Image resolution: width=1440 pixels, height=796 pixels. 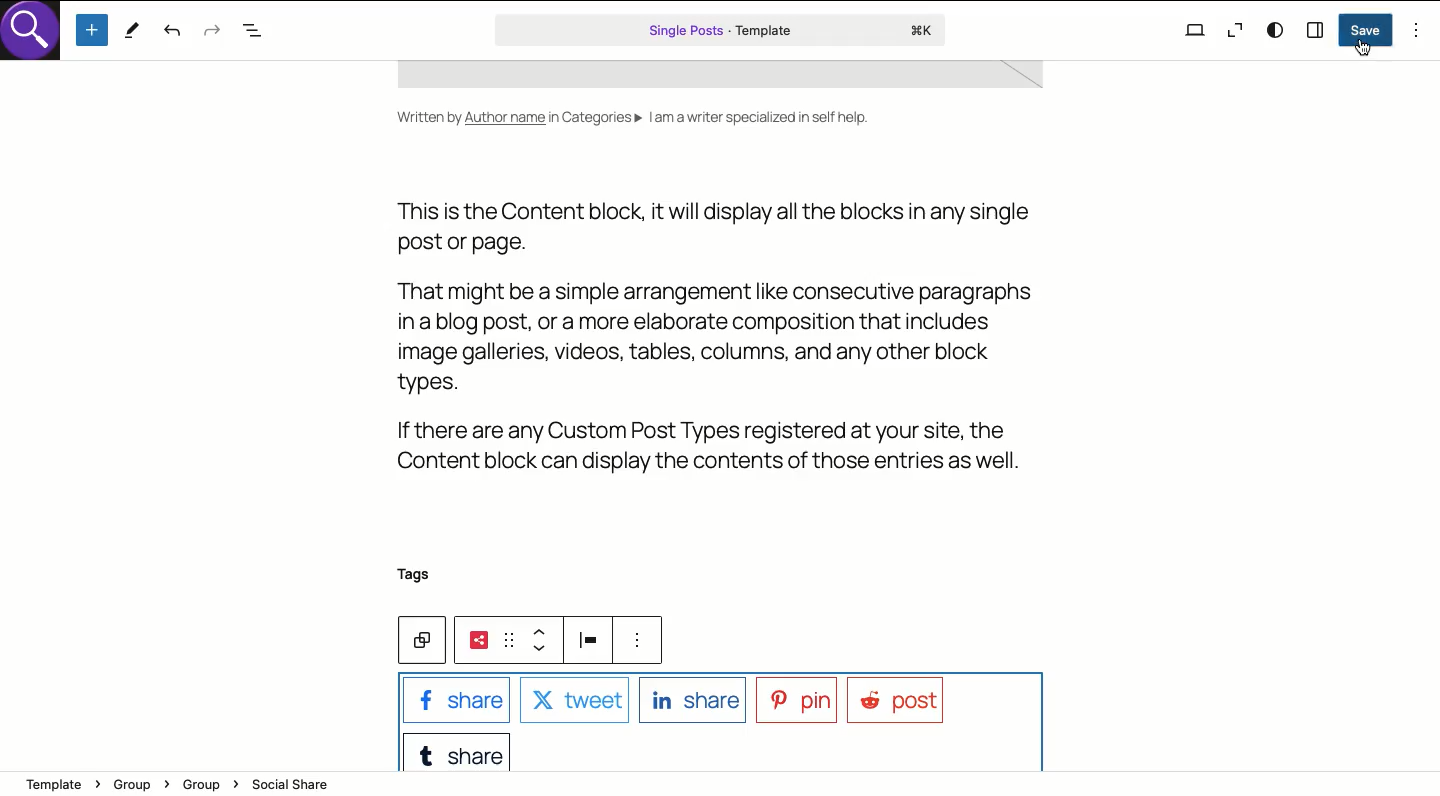 What do you see at coordinates (459, 700) in the screenshot?
I see `Facebook` at bounding box center [459, 700].